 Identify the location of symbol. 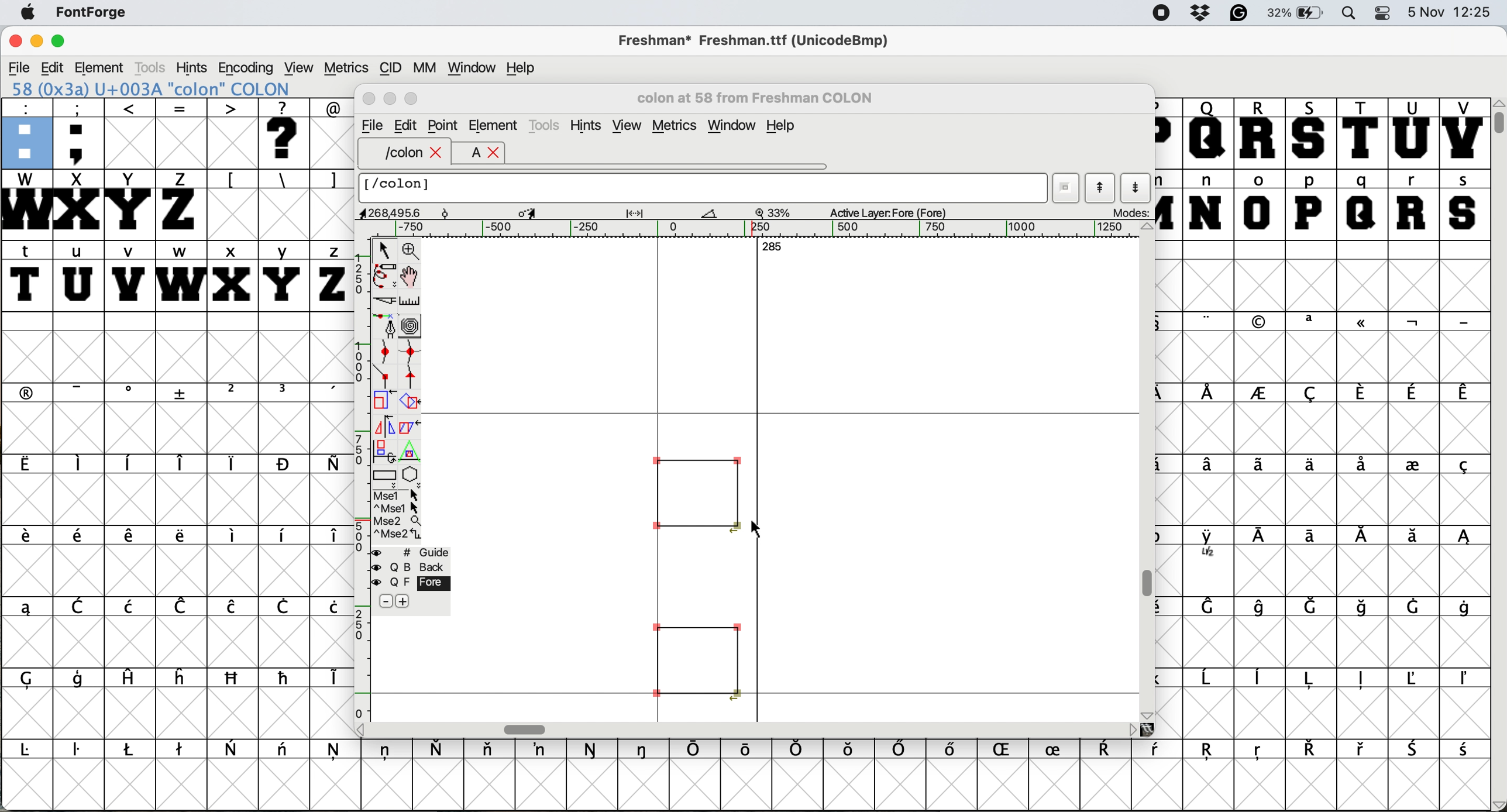
(234, 463).